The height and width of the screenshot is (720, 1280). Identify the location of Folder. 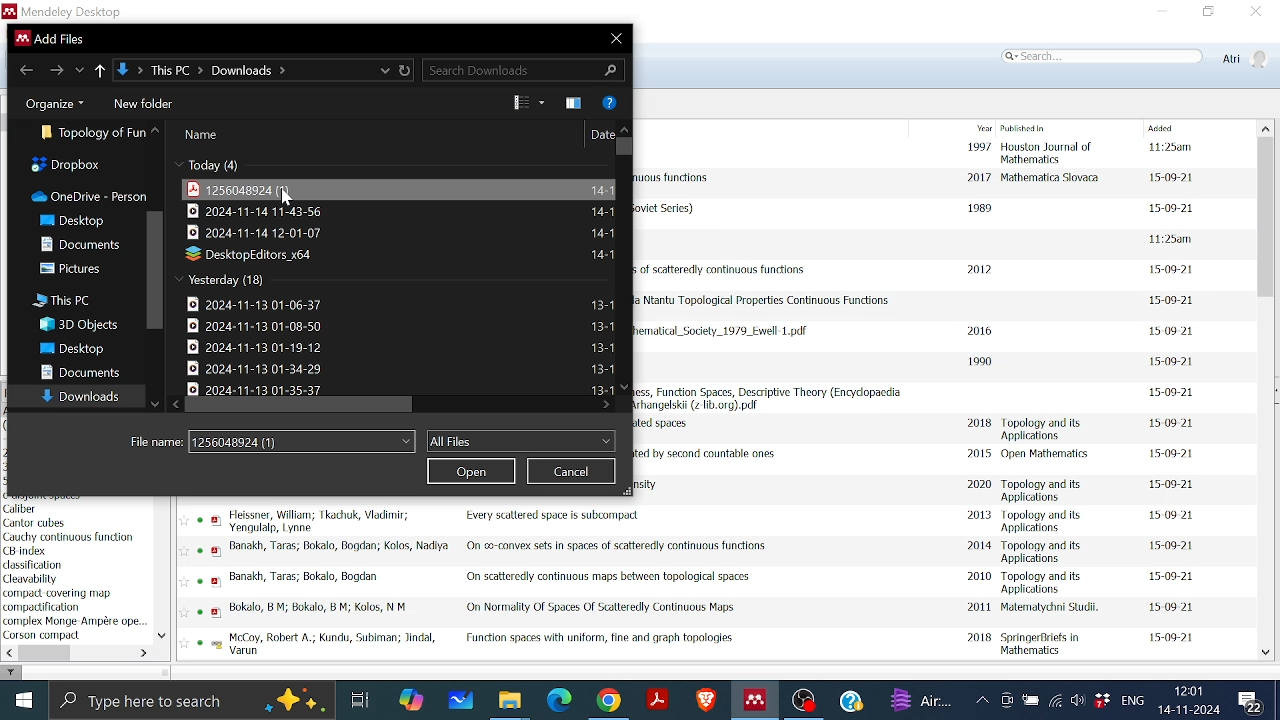
(92, 131).